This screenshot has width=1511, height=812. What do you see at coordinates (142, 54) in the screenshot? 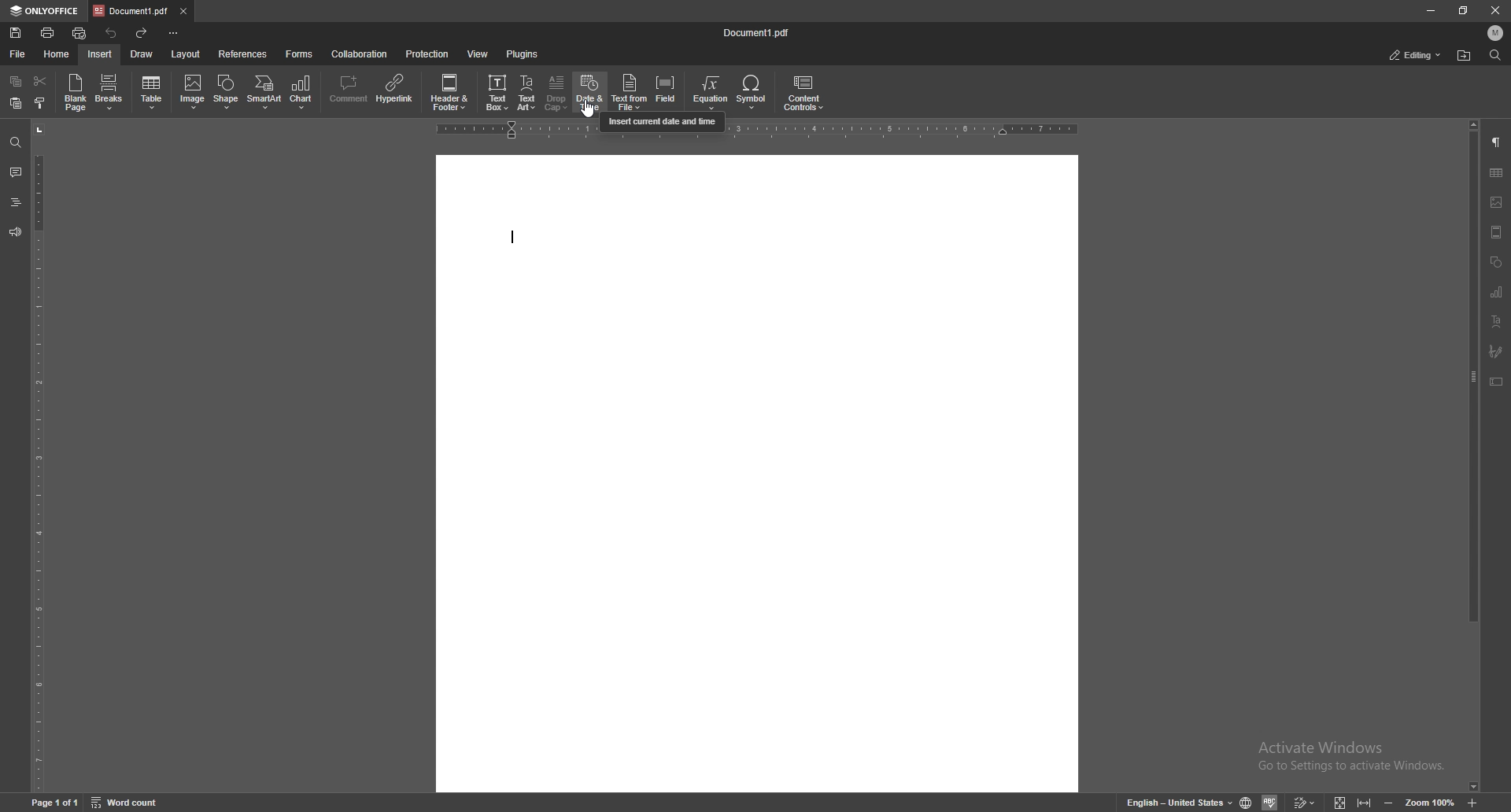
I see `draw` at bounding box center [142, 54].